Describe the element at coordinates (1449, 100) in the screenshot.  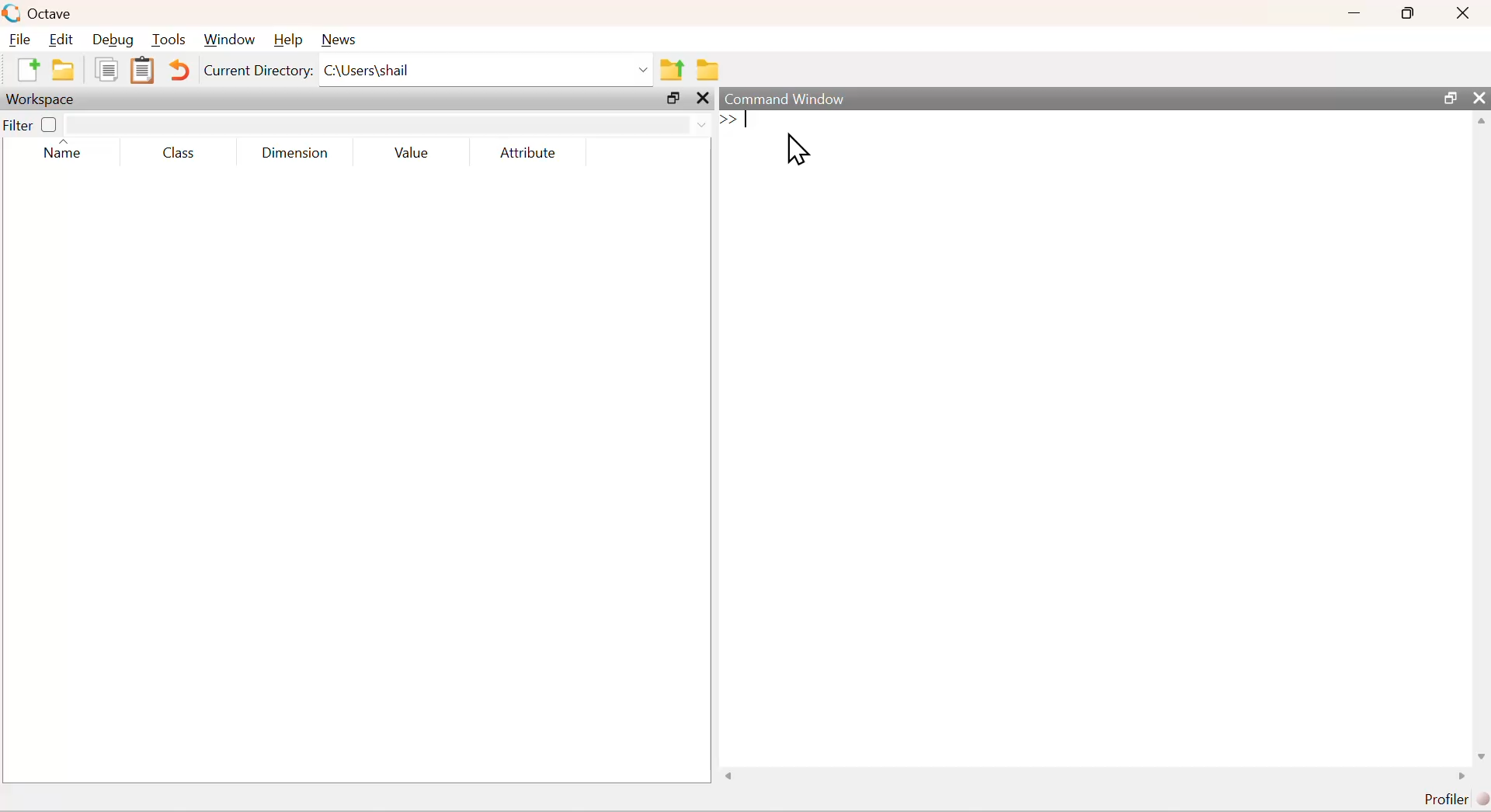
I see `Maximize` at that location.